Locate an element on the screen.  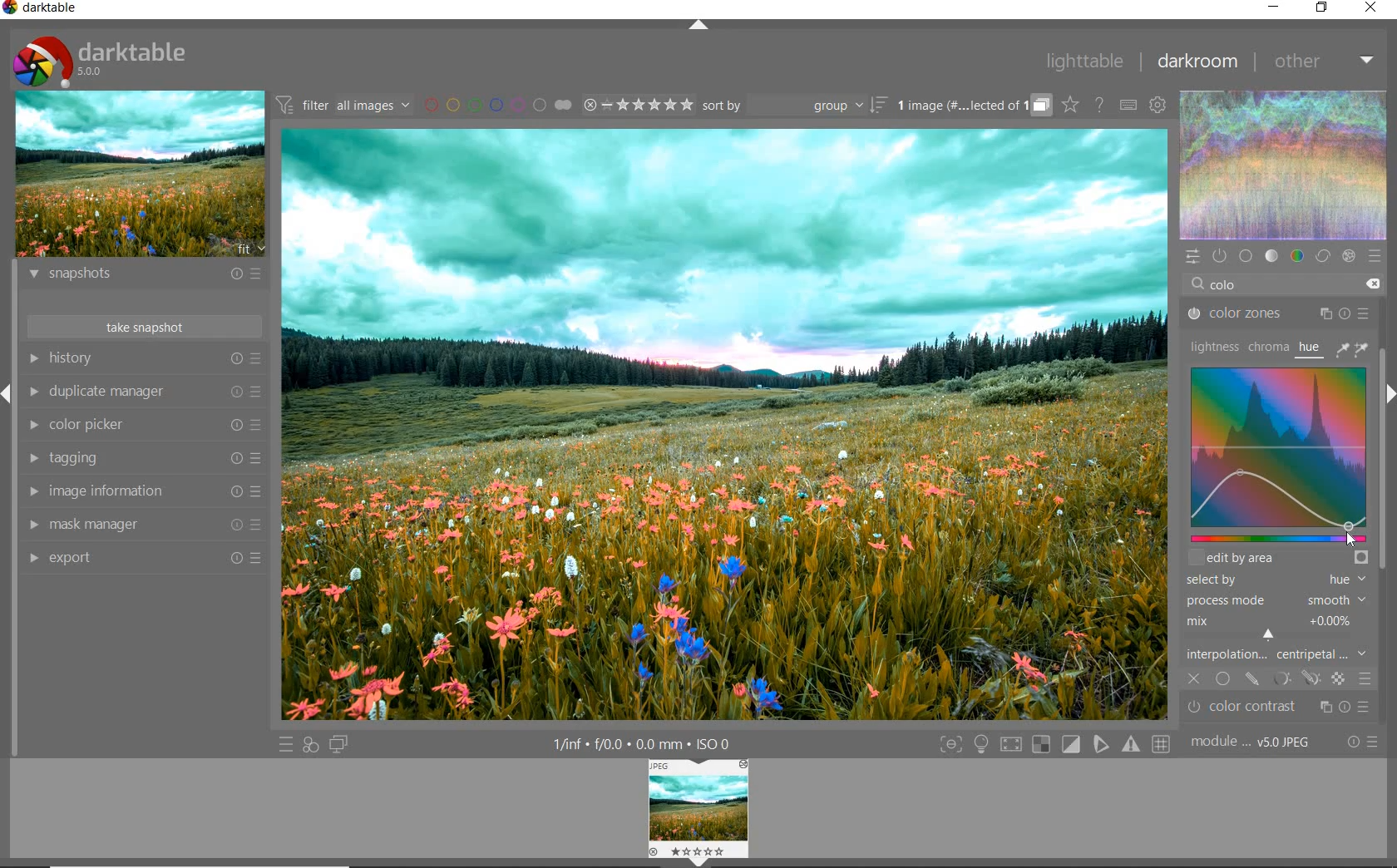
tone is located at coordinates (1272, 254).